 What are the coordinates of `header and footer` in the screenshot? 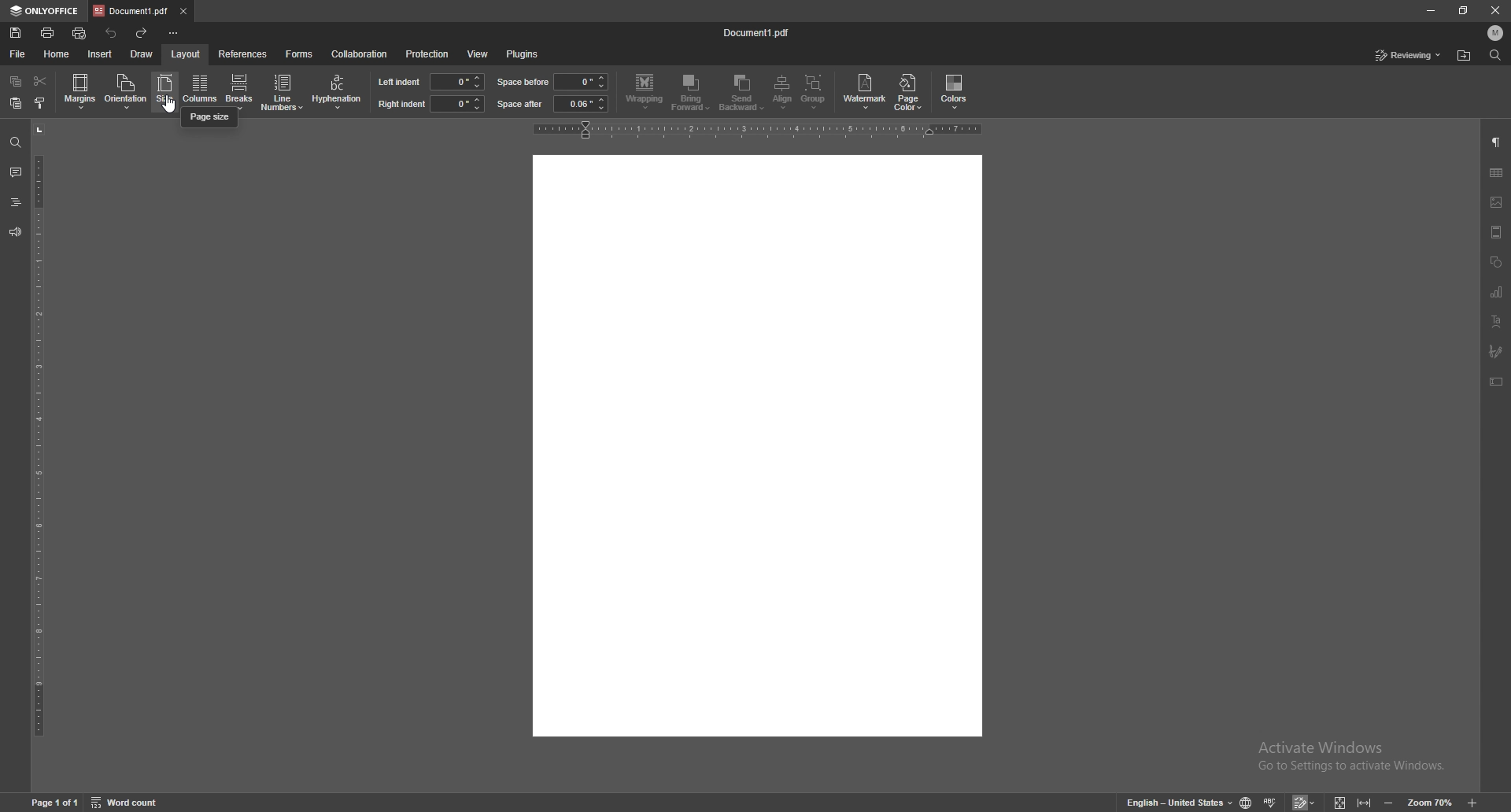 It's located at (1496, 232).